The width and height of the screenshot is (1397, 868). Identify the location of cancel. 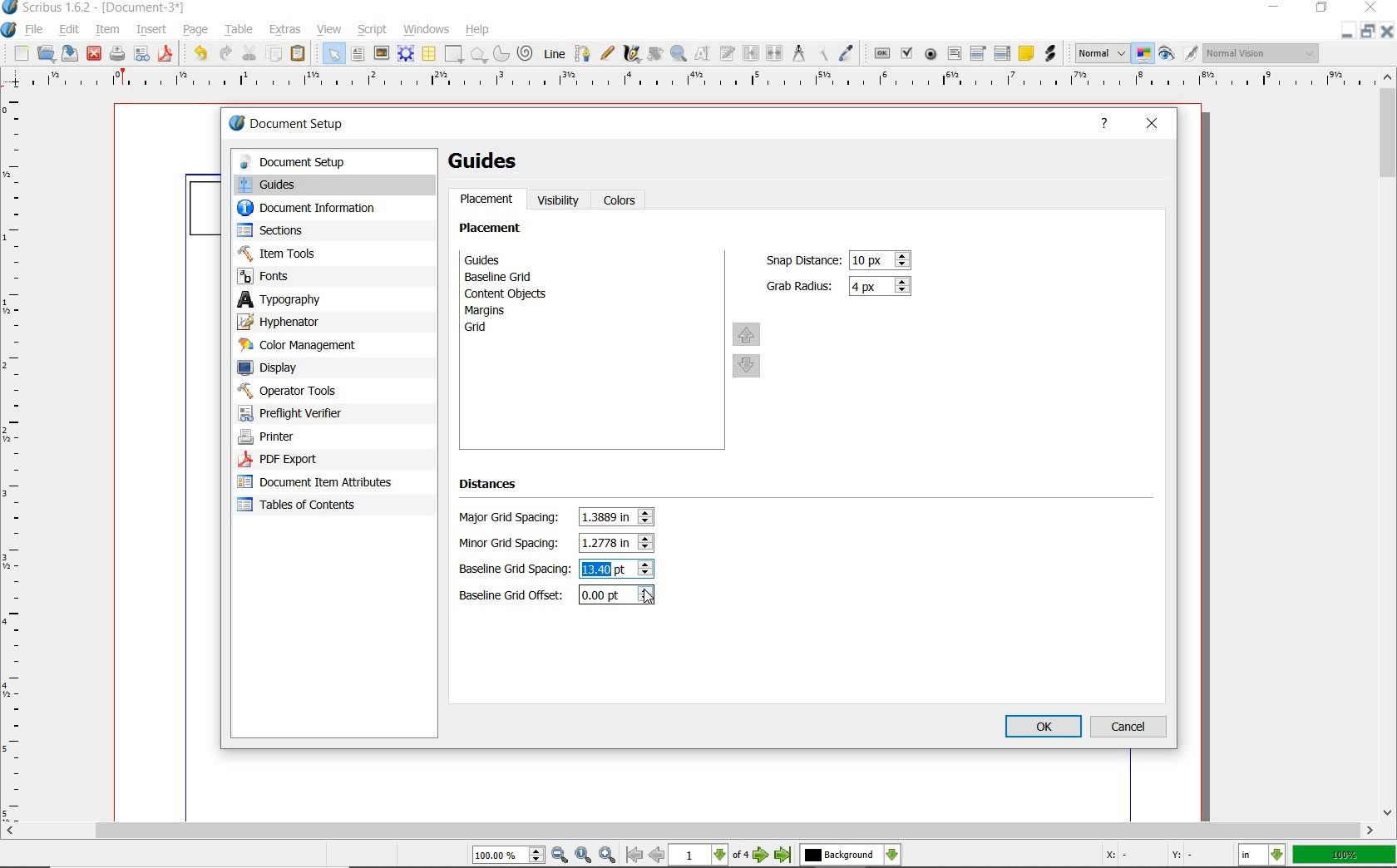
(1129, 727).